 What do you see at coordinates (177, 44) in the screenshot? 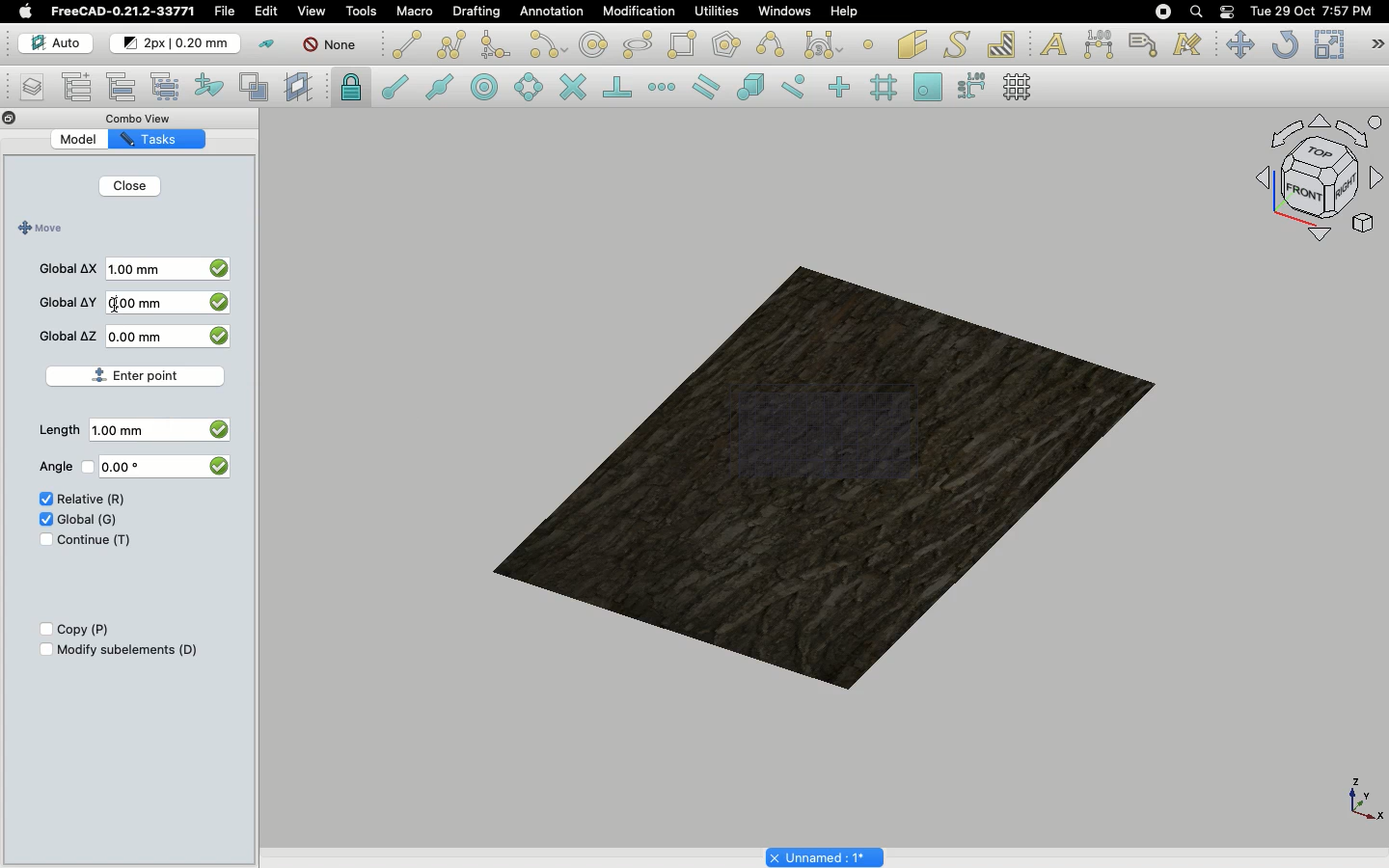
I see `Change default for new objects` at bounding box center [177, 44].